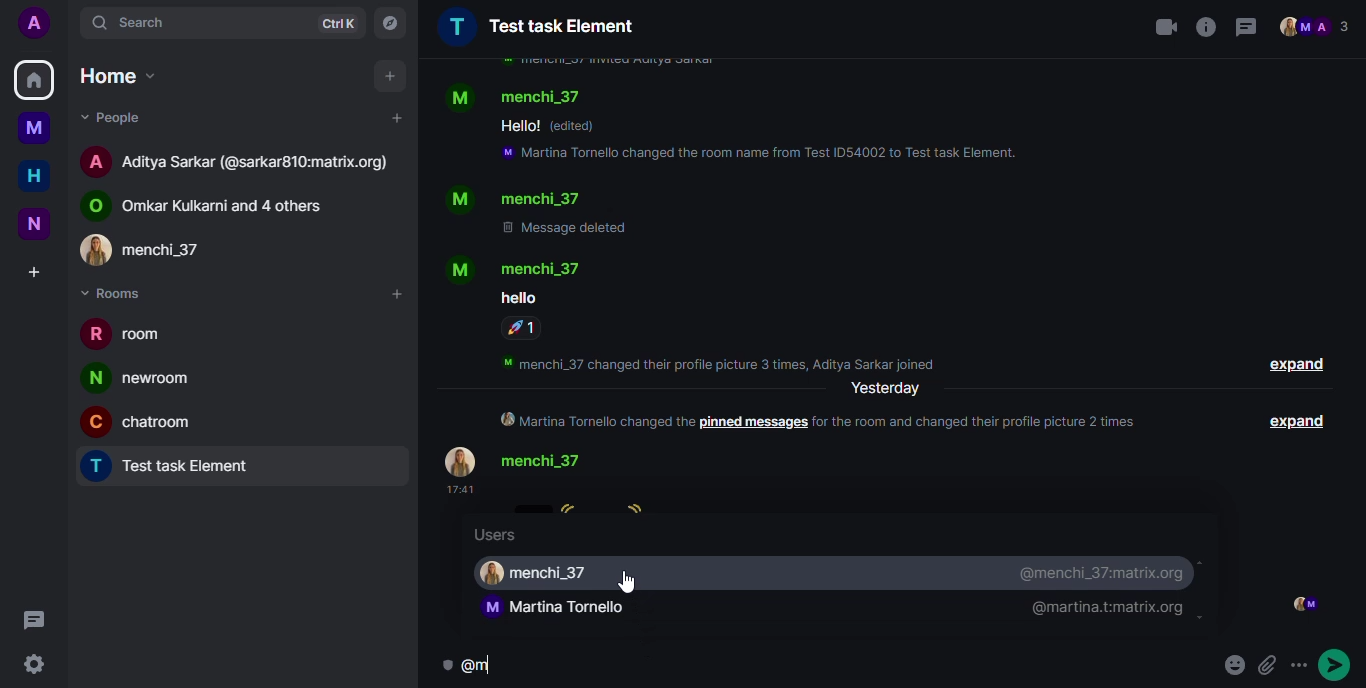 Image resolution: width=1366 pixels, height=688 pixels. I want to click on info, so click(606, 62).